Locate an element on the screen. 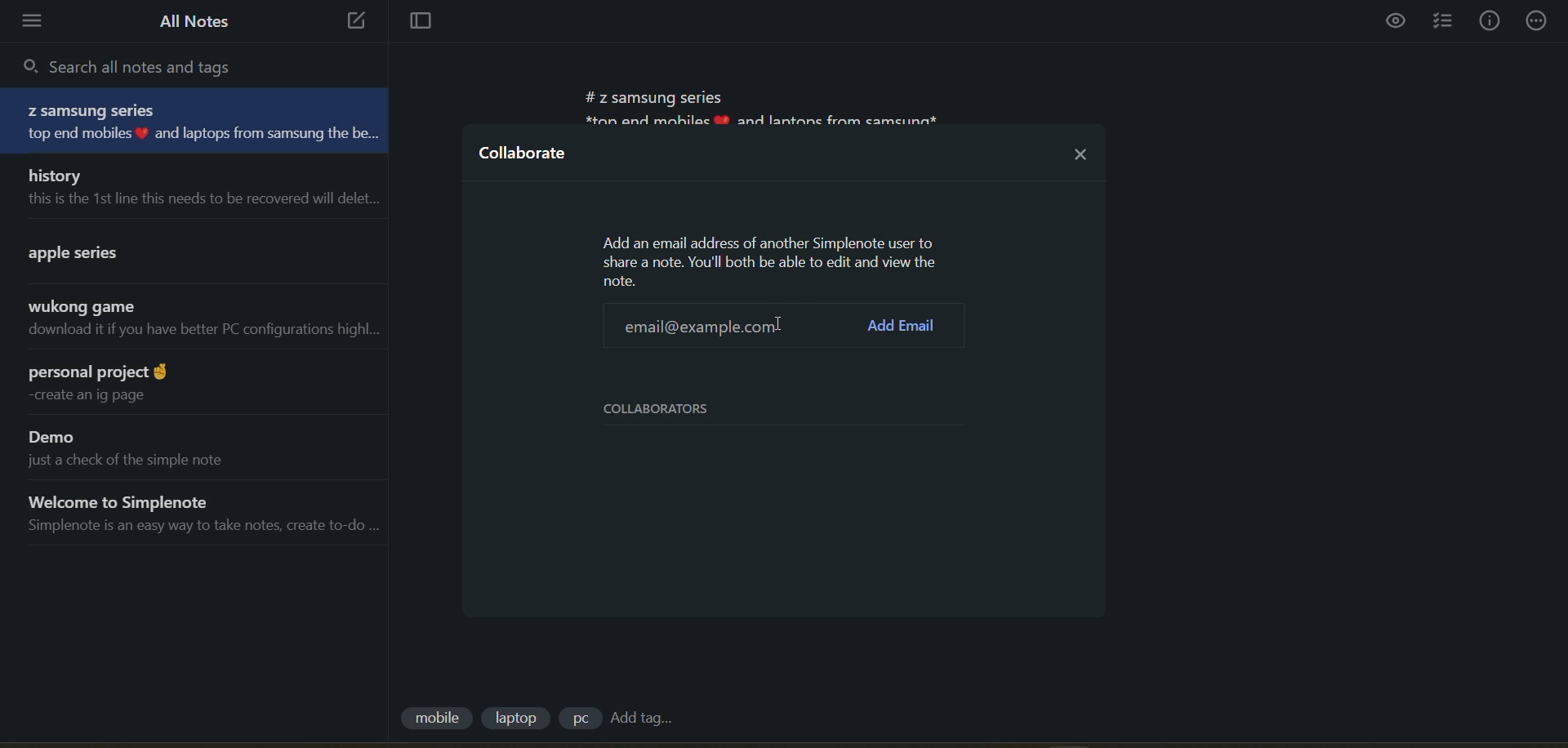 The width and height of the screenshot is (1568, 748). actions is located at coordinates (1540, 20).